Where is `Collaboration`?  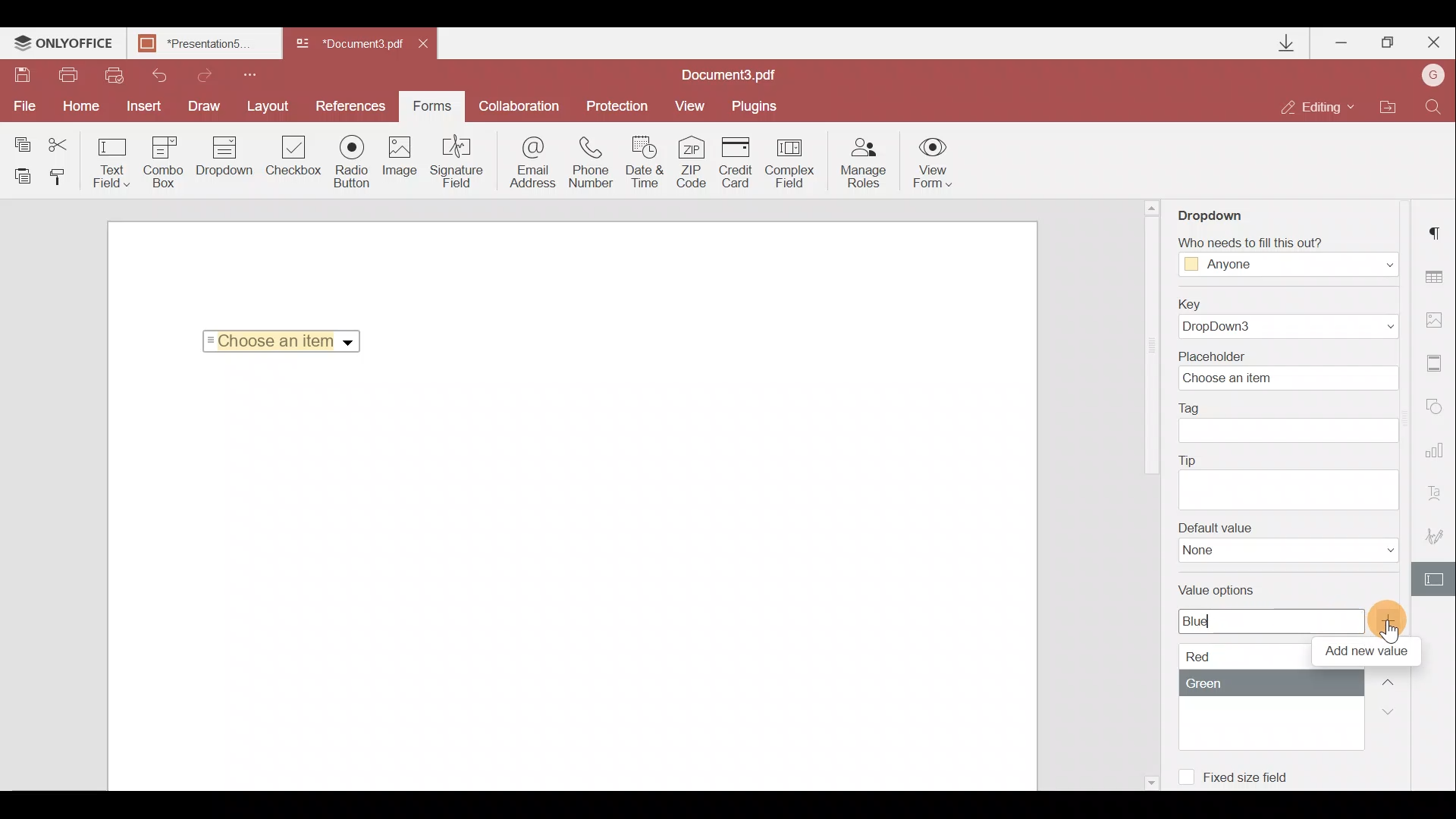
Collaboration is located at coordinates (519, 104).